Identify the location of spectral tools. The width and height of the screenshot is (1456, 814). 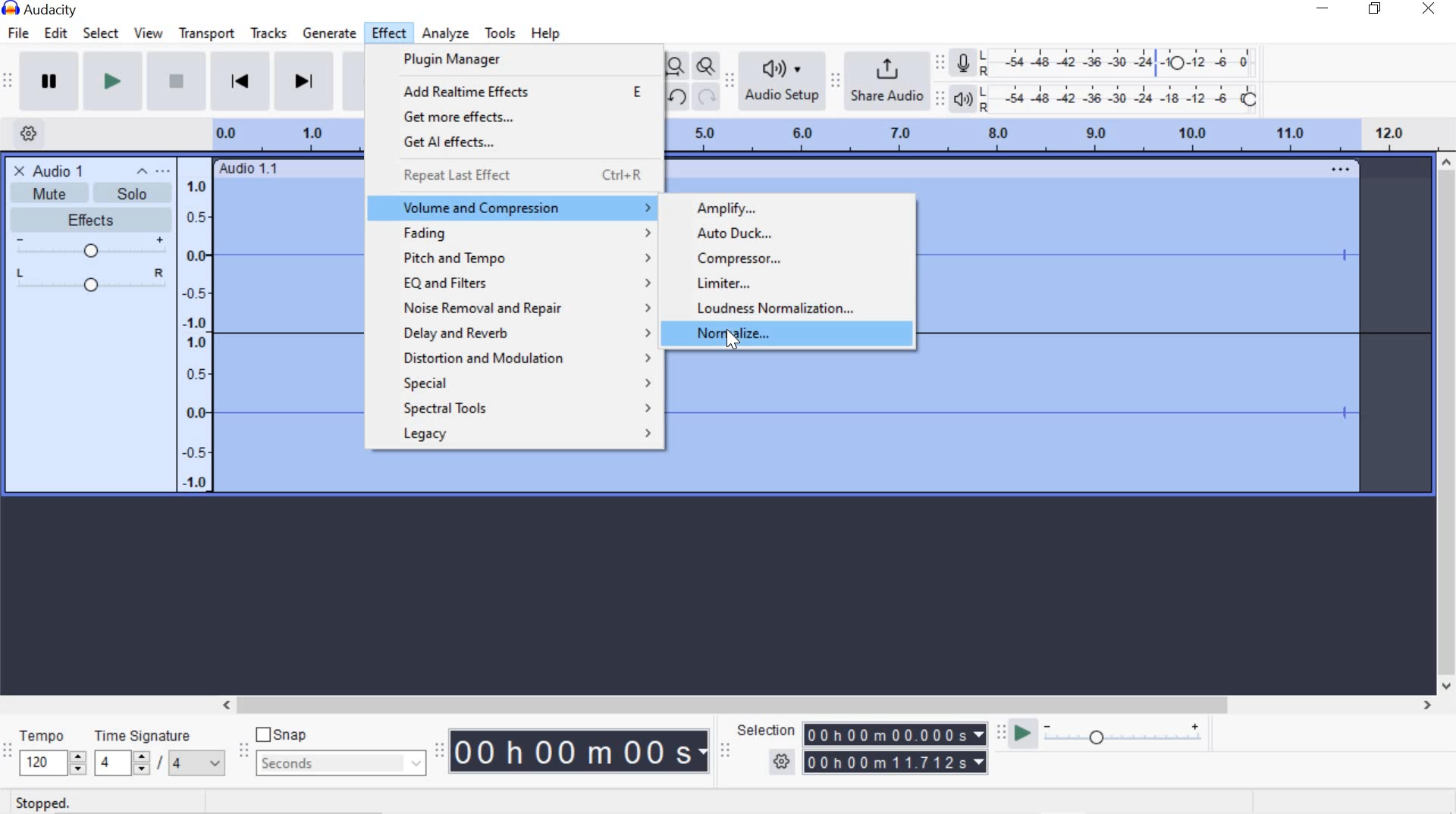
(525, 409).